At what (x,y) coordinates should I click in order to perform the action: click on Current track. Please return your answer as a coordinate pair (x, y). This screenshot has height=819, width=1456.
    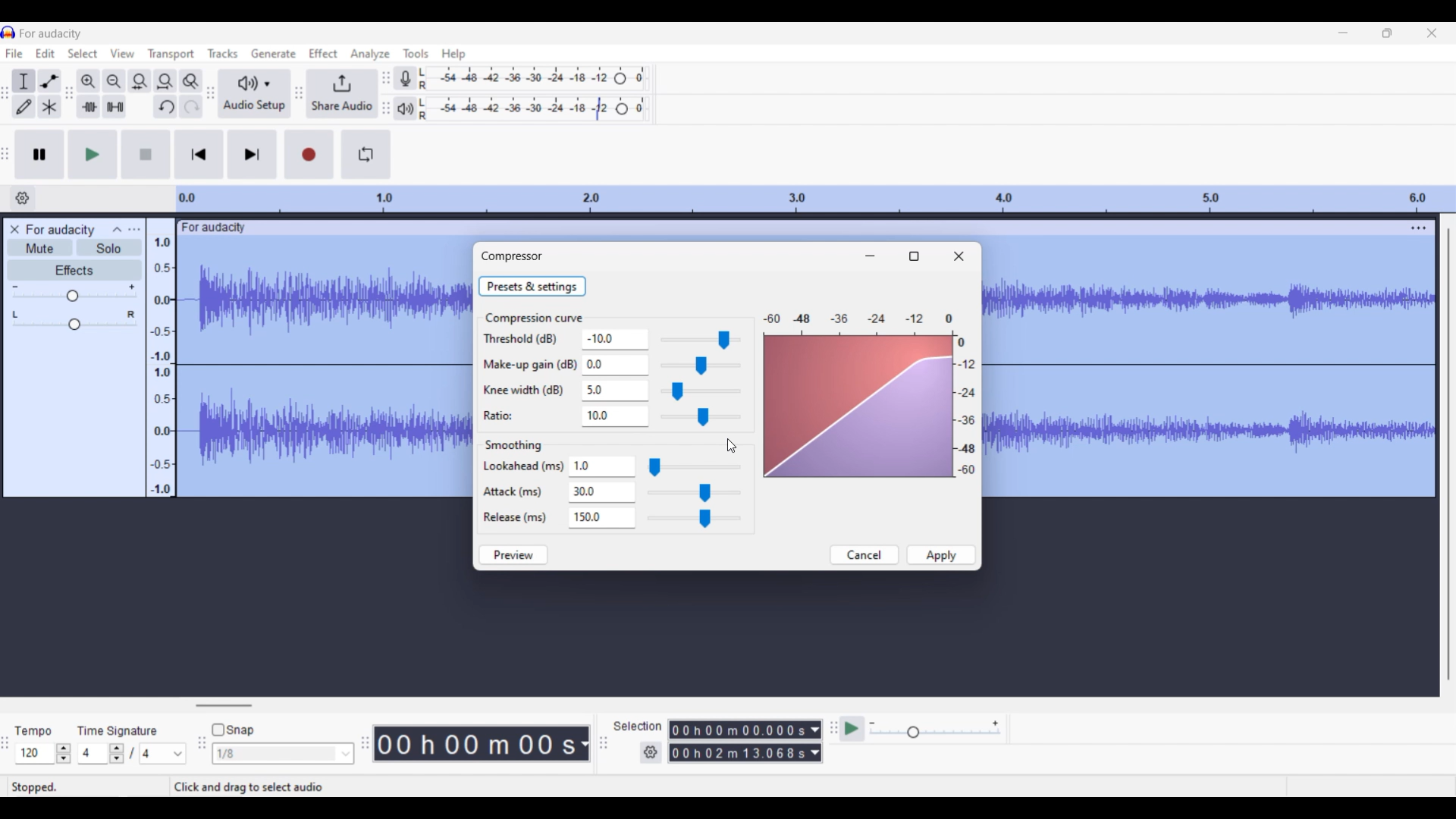
    Looking at the image, I should click on (325, 369).